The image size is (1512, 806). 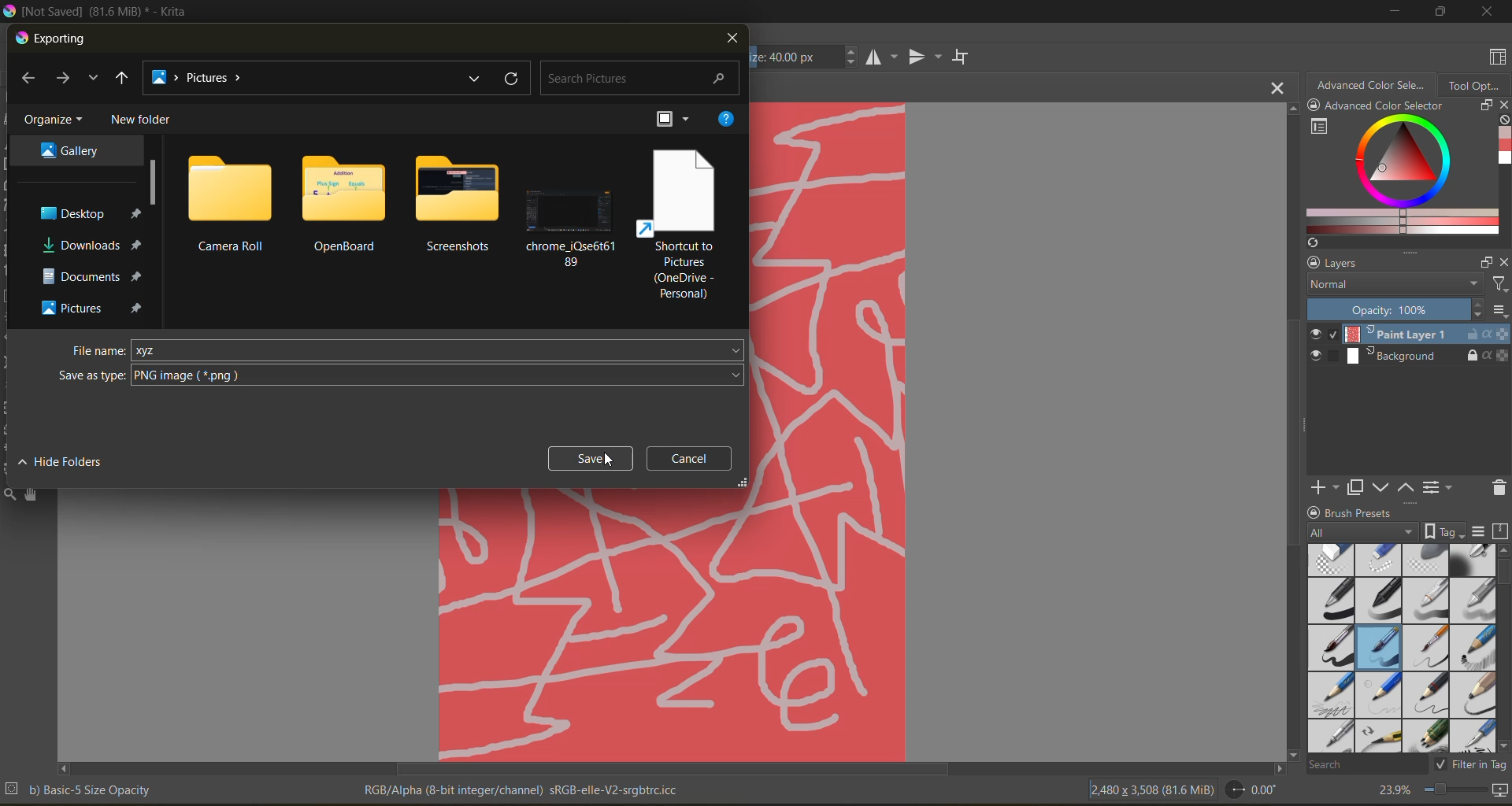 I want to click on layer, so click(x=1410, y=357).